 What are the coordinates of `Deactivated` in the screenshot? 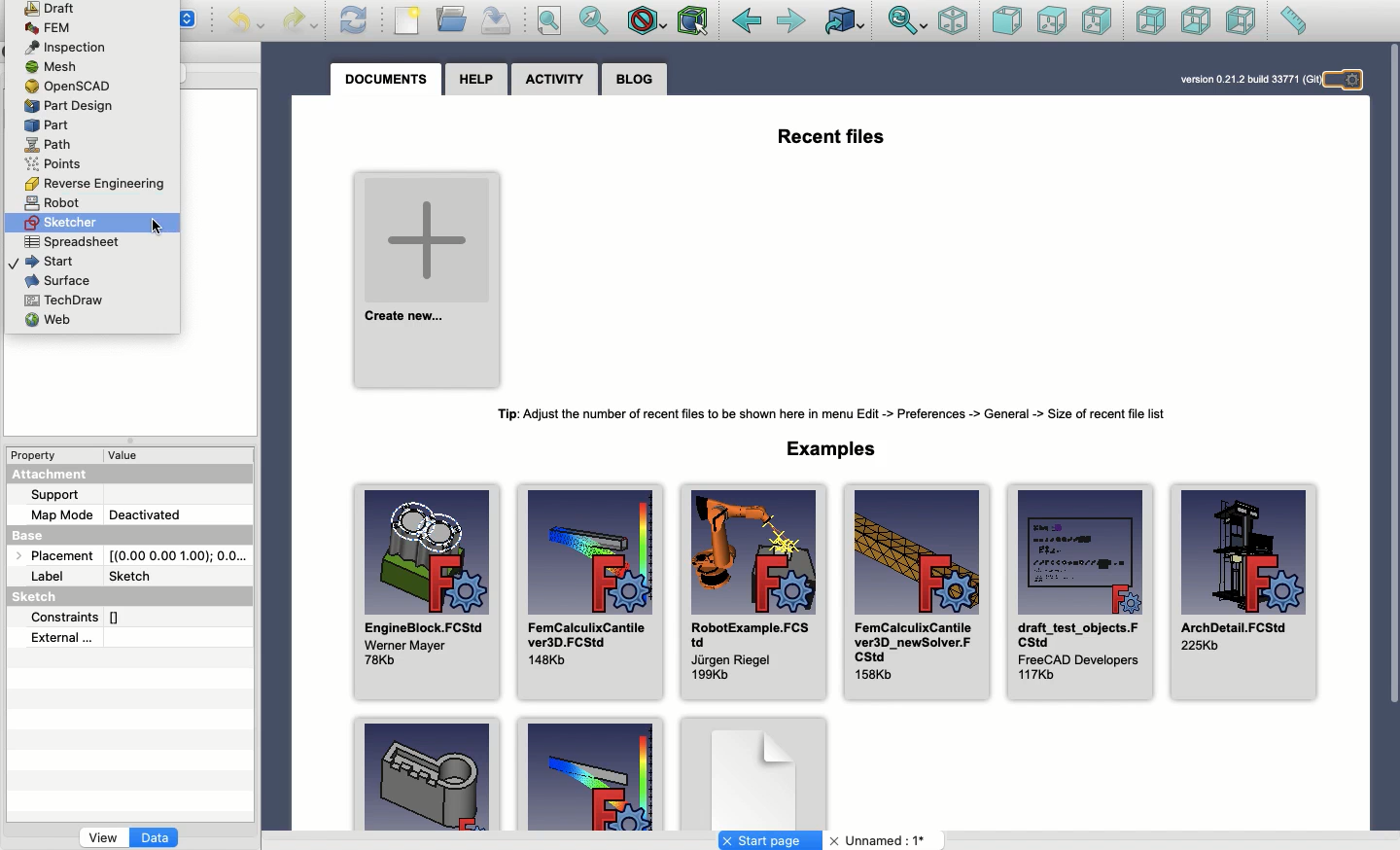 It's located at (147, 514).